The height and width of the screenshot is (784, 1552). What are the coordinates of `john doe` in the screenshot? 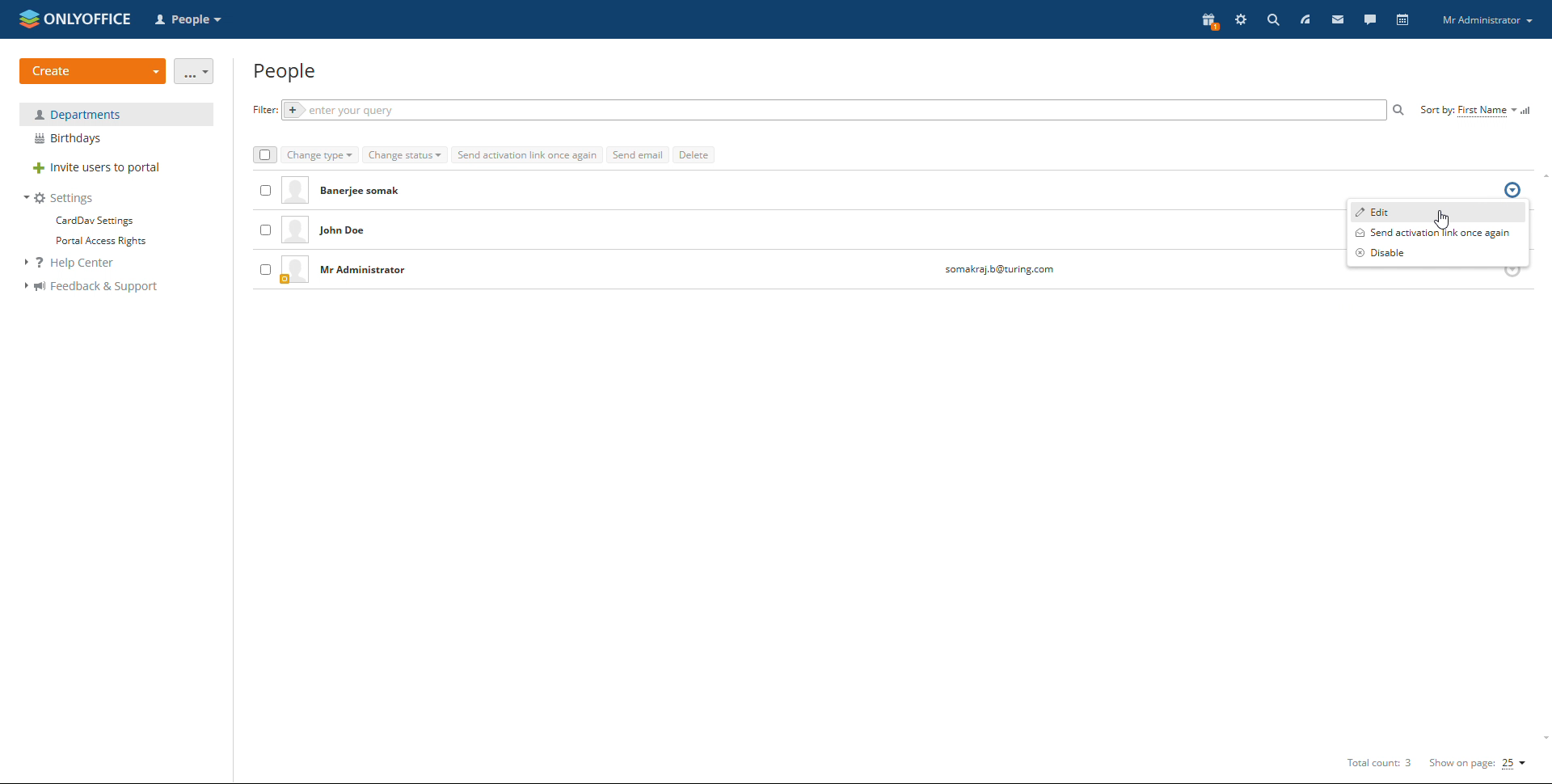 It's located at (358, 232).